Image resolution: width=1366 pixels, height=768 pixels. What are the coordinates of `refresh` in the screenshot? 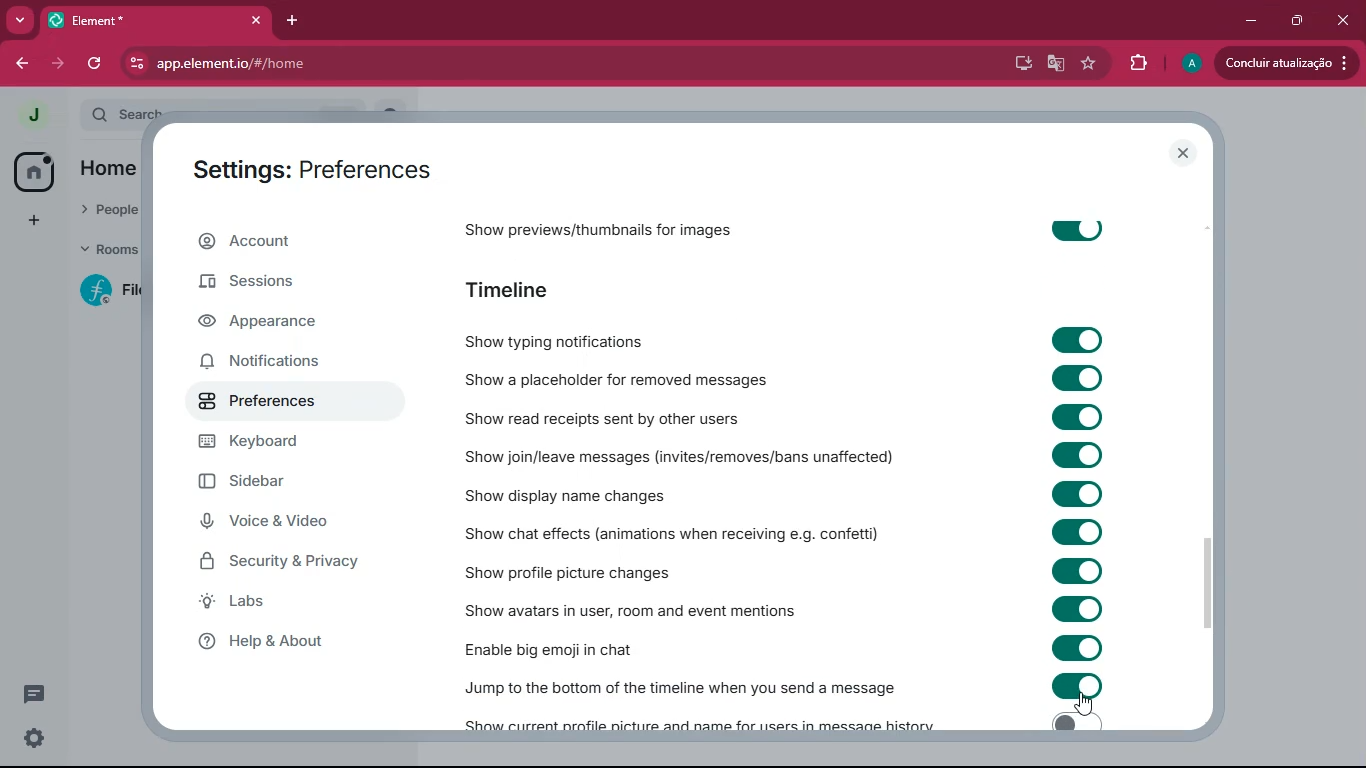 It's located at (92, 65).